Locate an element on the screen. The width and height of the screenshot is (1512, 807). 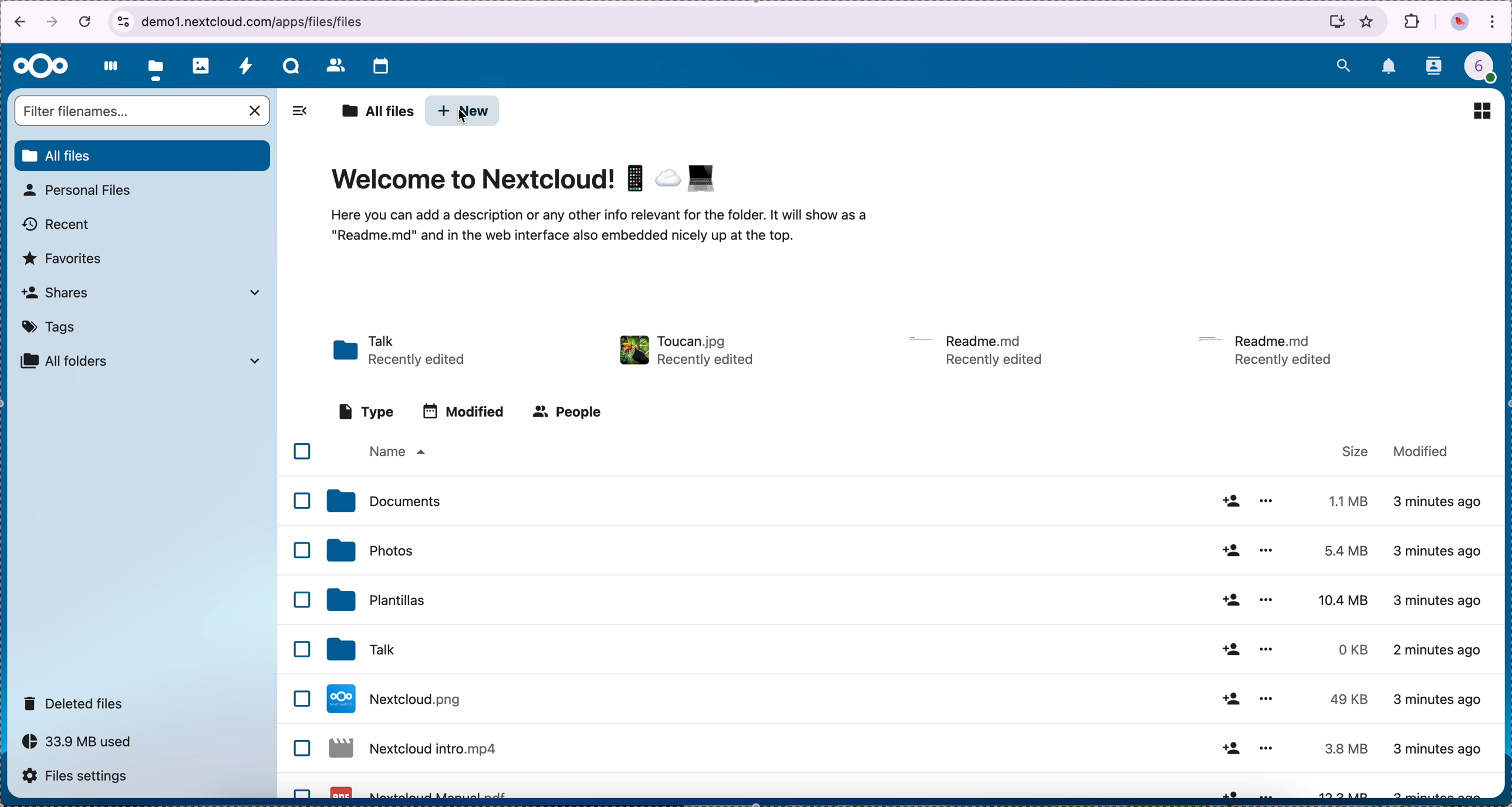
modified is located at coordinates (464, 411).